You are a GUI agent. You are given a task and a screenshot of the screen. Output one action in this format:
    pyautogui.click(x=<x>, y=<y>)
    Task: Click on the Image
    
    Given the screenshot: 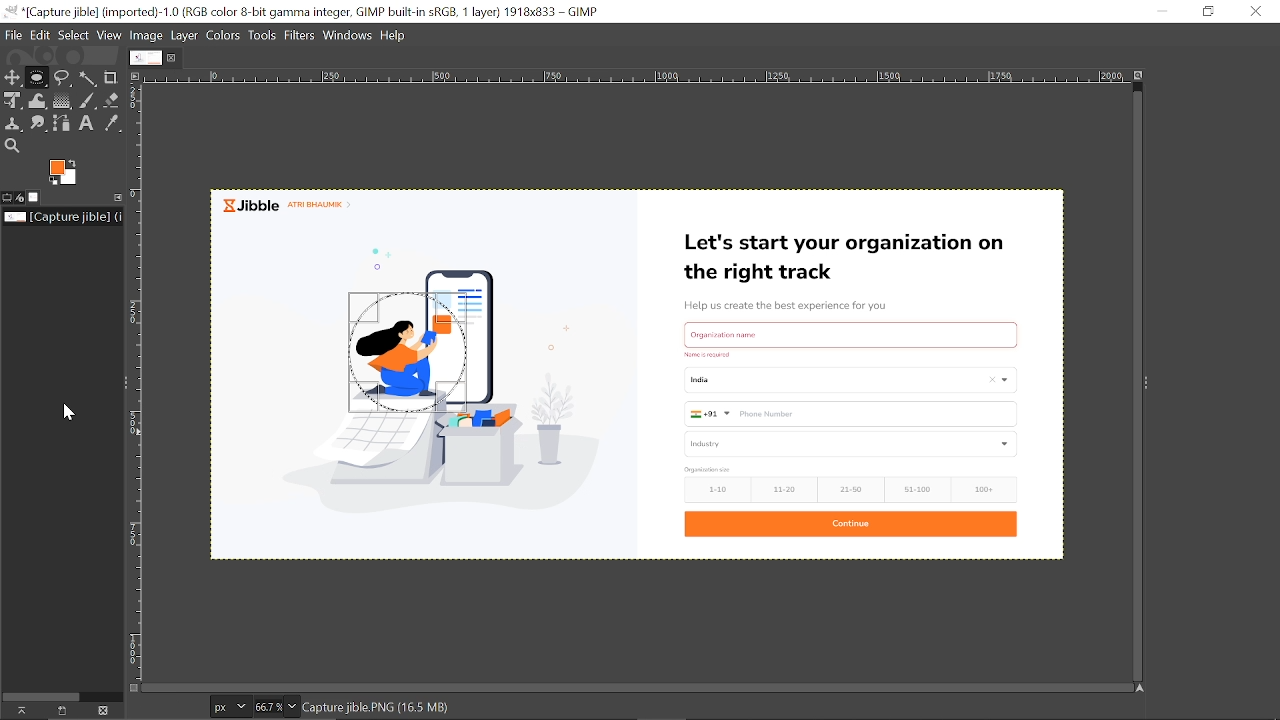 What is the action you would take?
    pyautogui.click(x=150, y=34)
    